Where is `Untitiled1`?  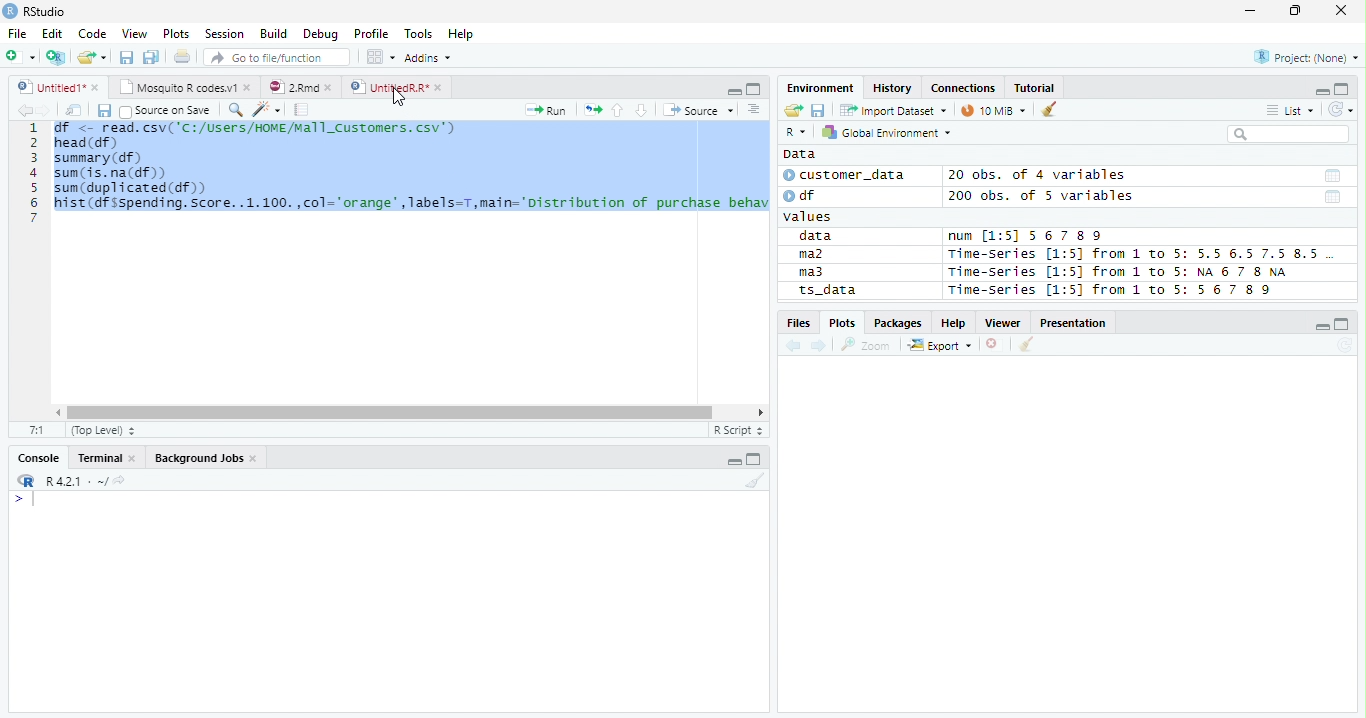
Untitiled1 is located at coordinates (57, 87).